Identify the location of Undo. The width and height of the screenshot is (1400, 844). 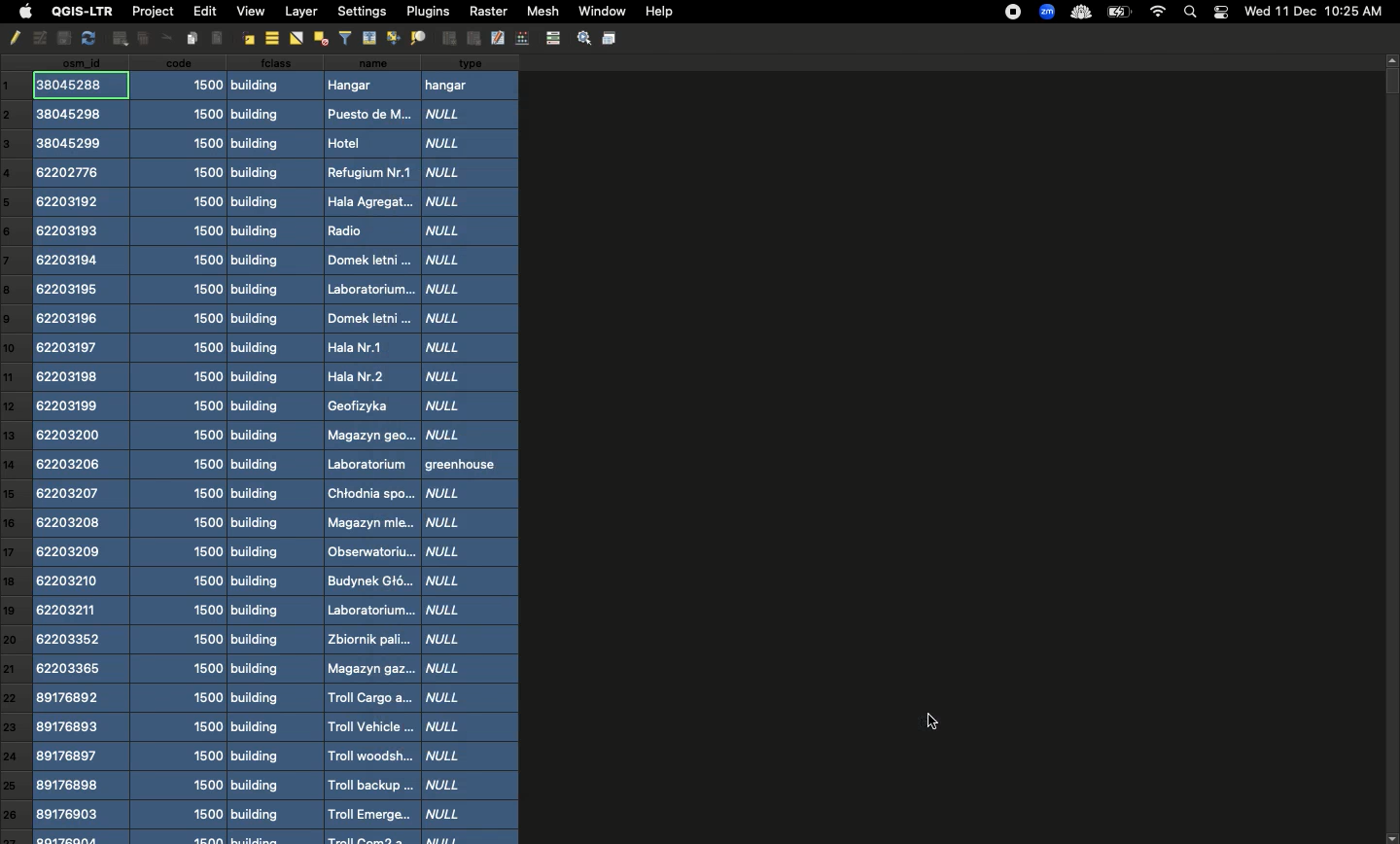
(38, 39).